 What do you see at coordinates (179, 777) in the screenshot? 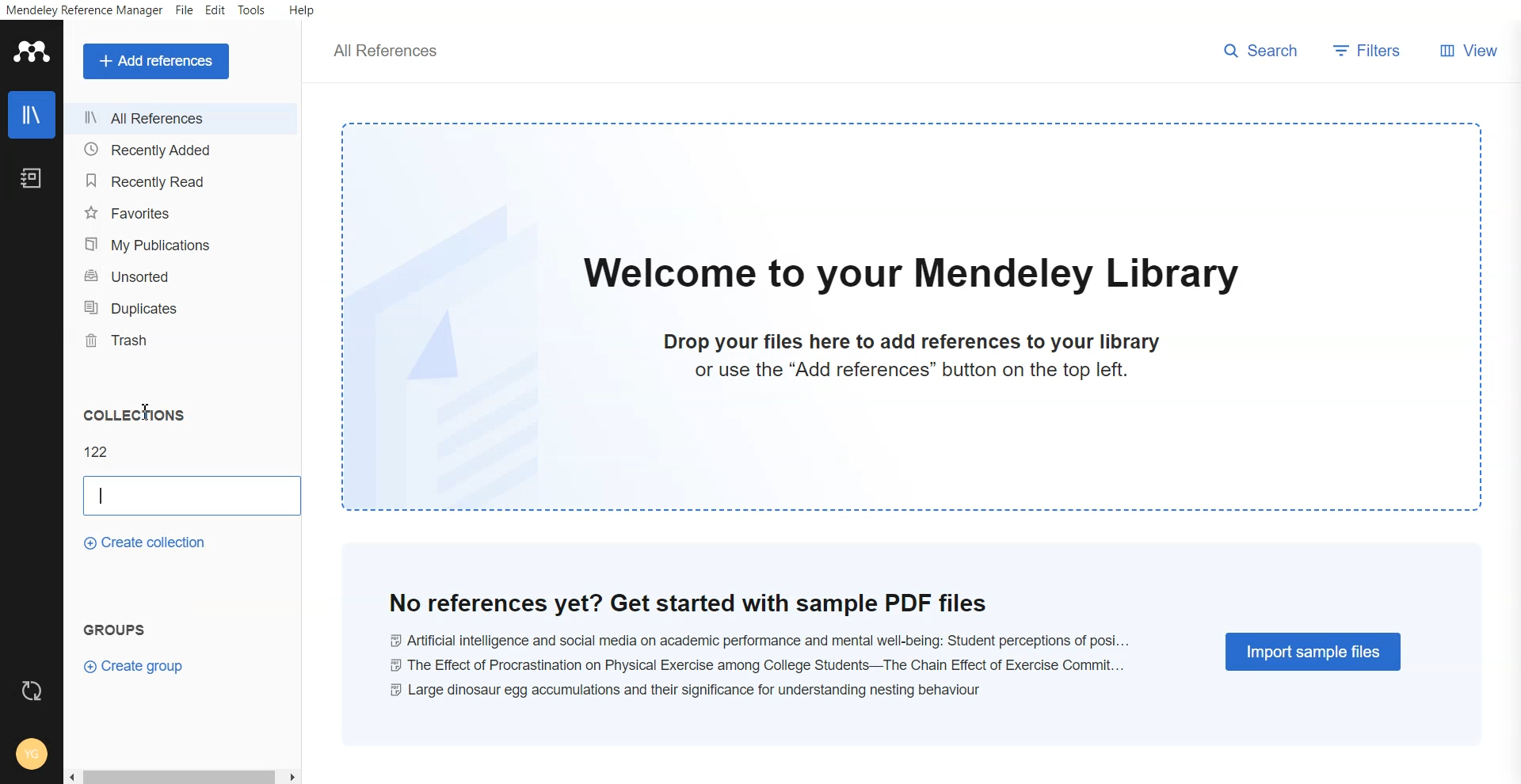
I see `Scroll bar` at bounding box center [179, 777].